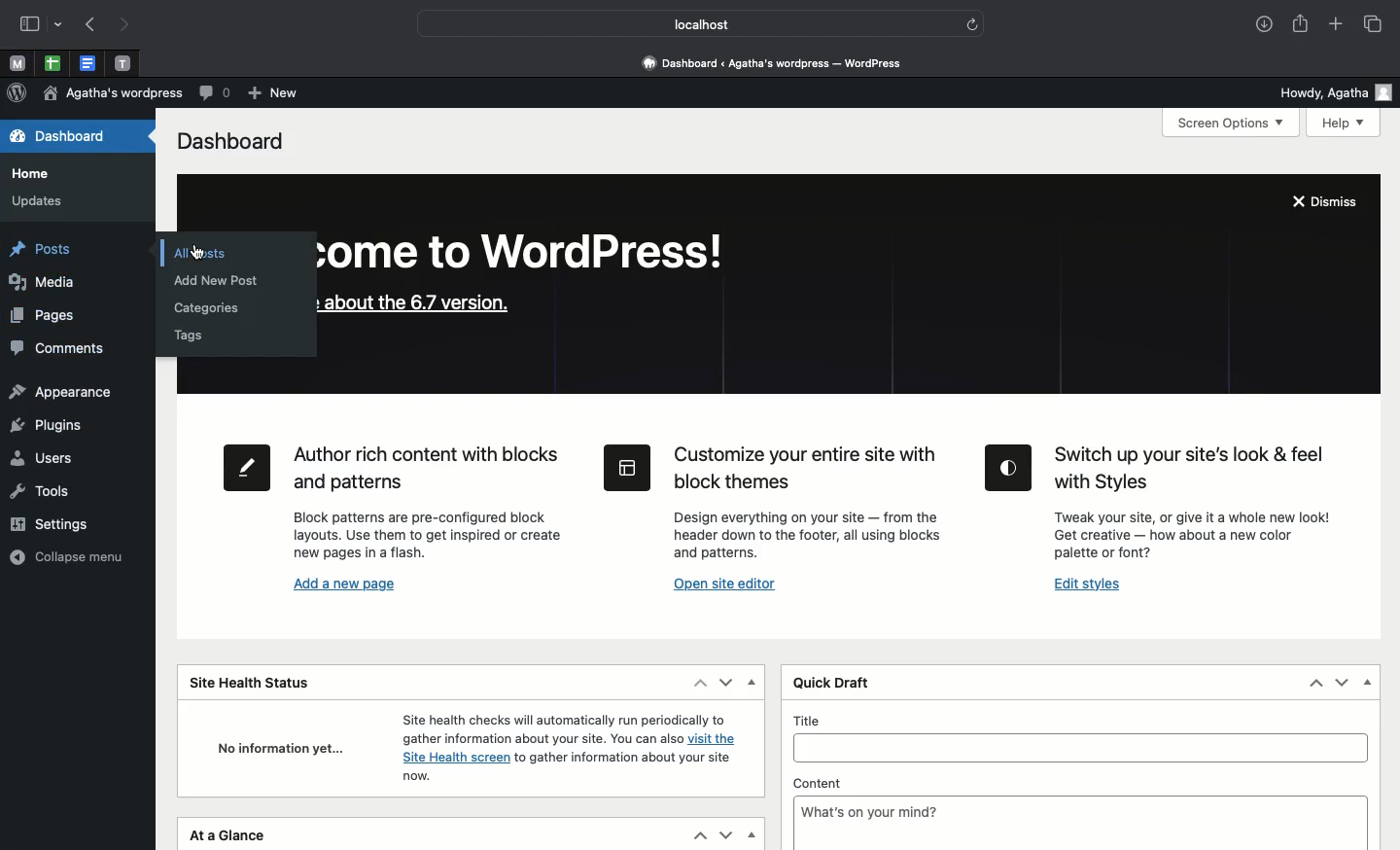 The image size is (1400, 850). Describe the element at coordinates (199, 251) in the screenshot. I see `Click all posts` at that location.